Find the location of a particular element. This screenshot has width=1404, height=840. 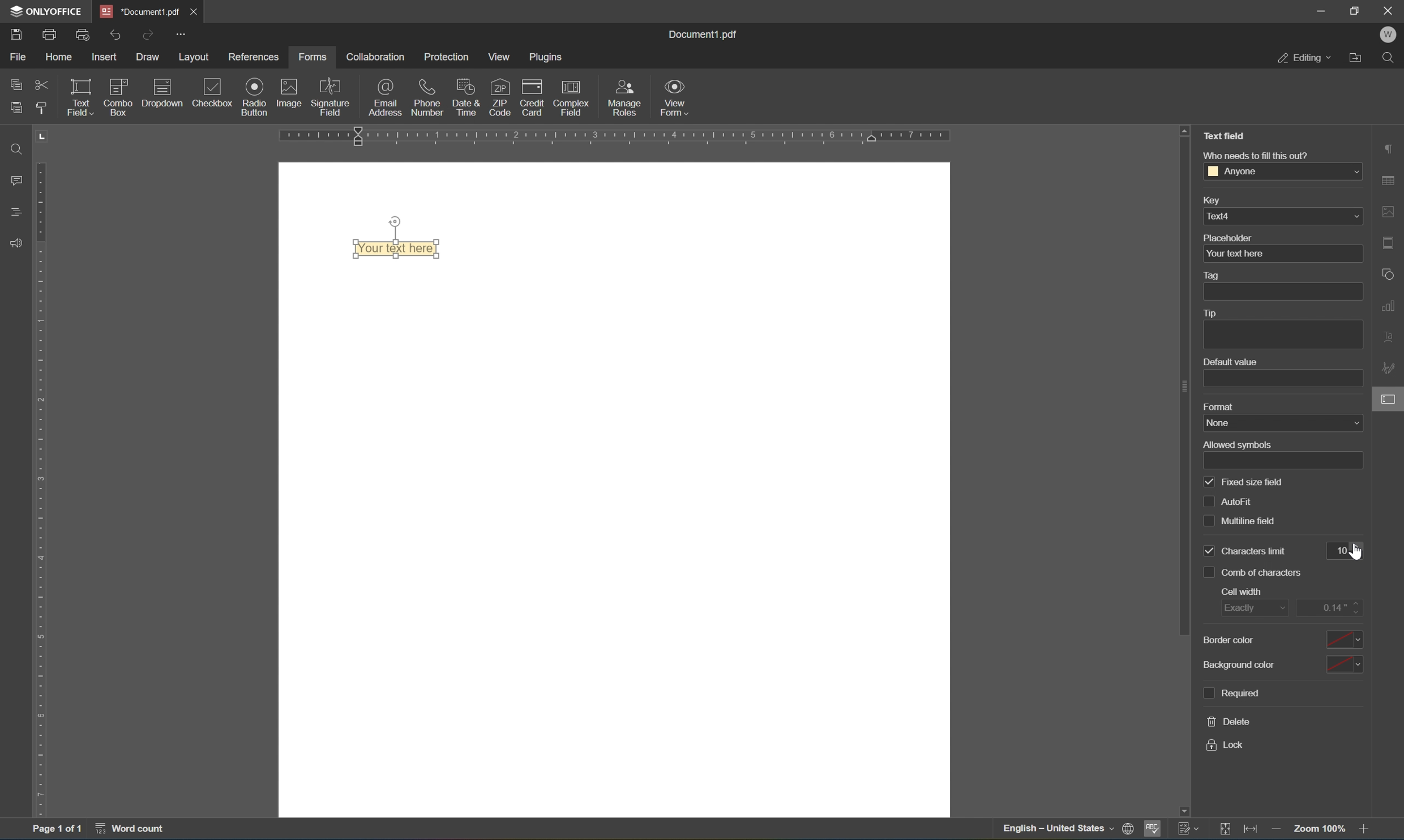

complex field is located at coordinates (571, 102).